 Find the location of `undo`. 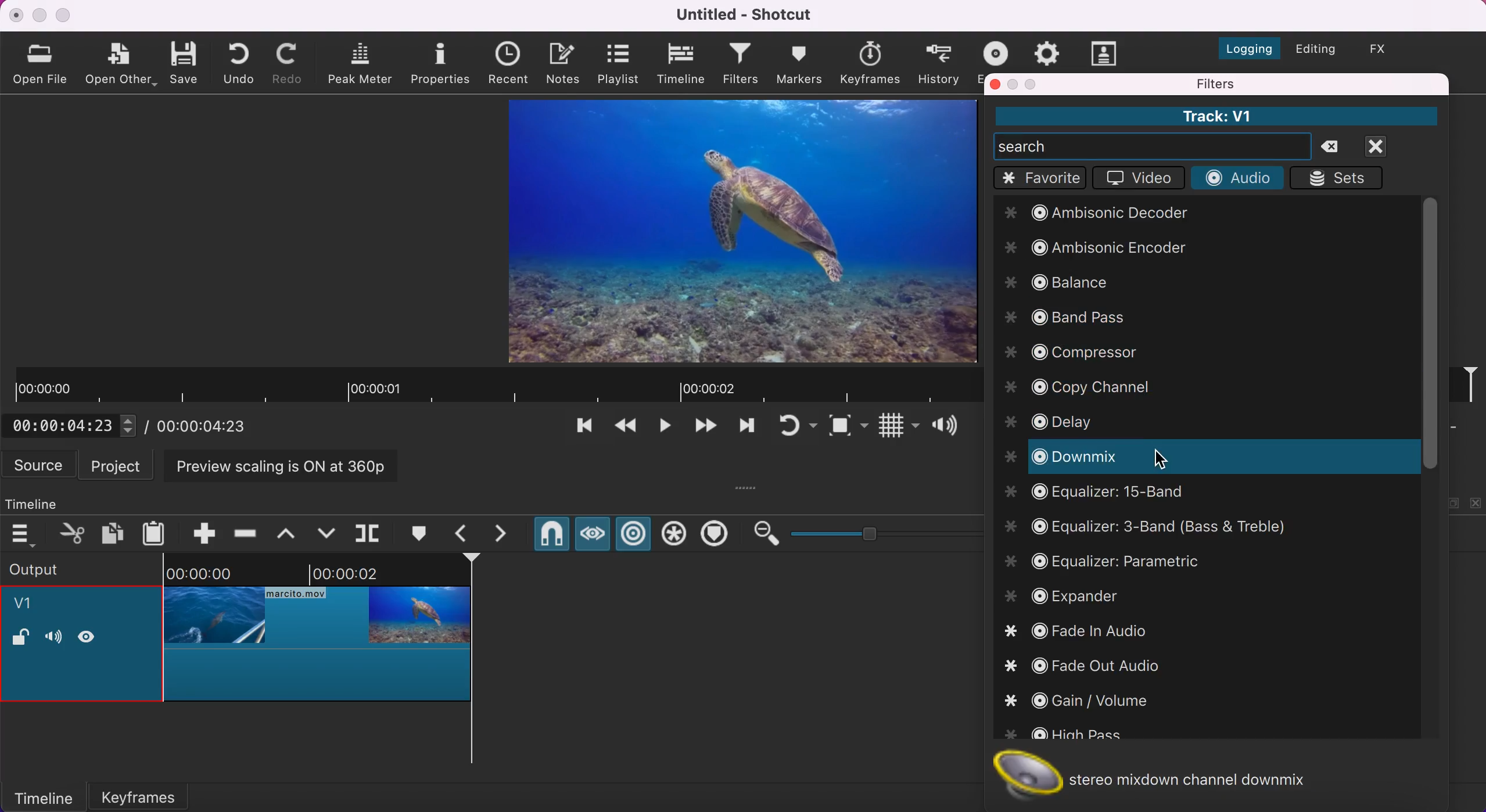

undo is located at coordinates (242, 62).